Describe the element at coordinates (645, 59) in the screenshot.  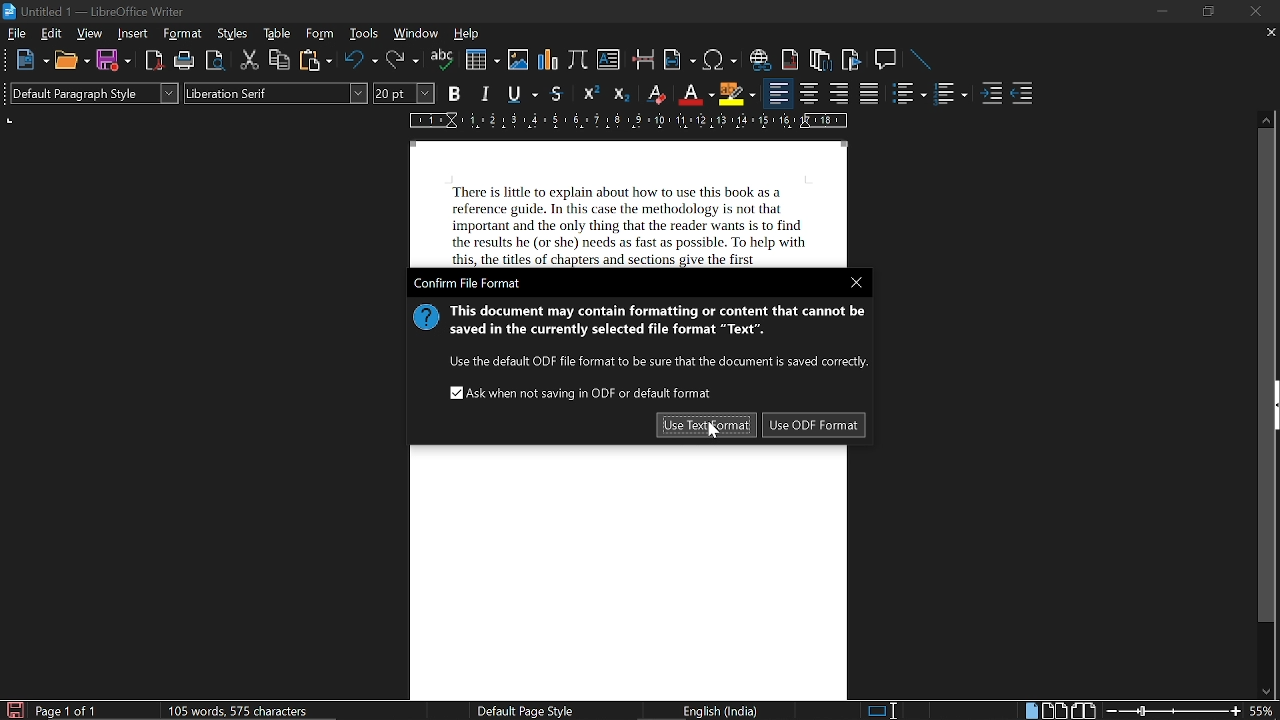
I see `insert page break` at that location.